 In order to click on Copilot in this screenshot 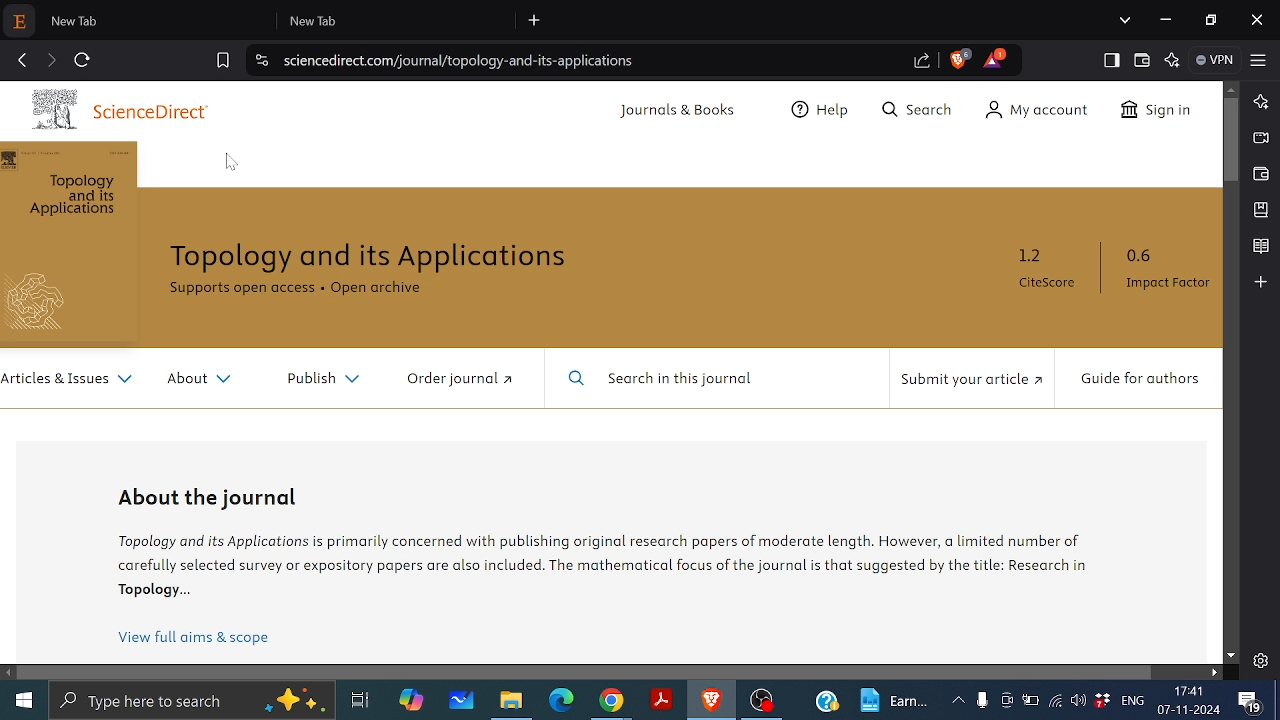, I will do `click(414, 702)`.